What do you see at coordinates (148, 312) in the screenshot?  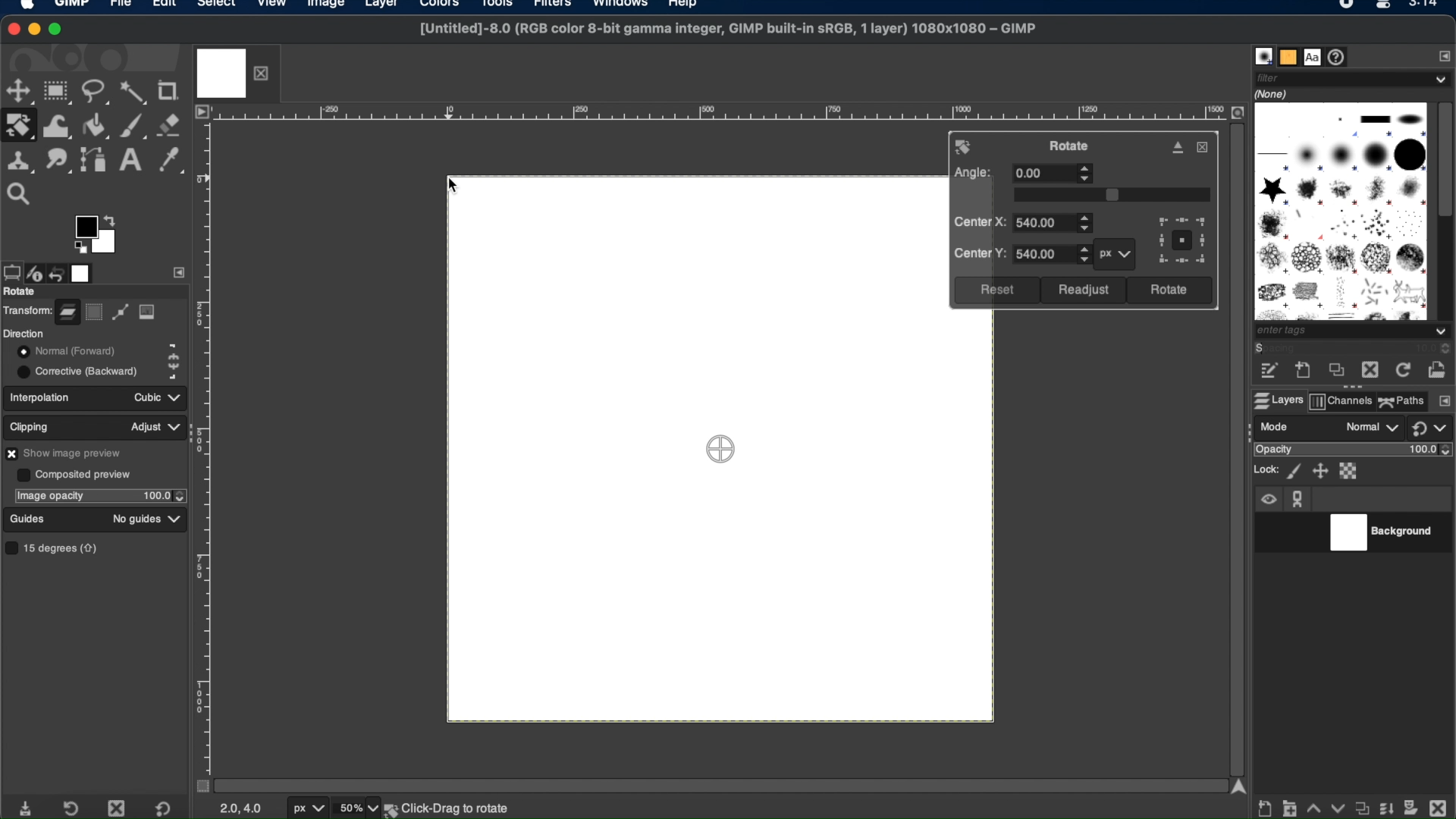 I see `image ` at bounding box center [148, 312].